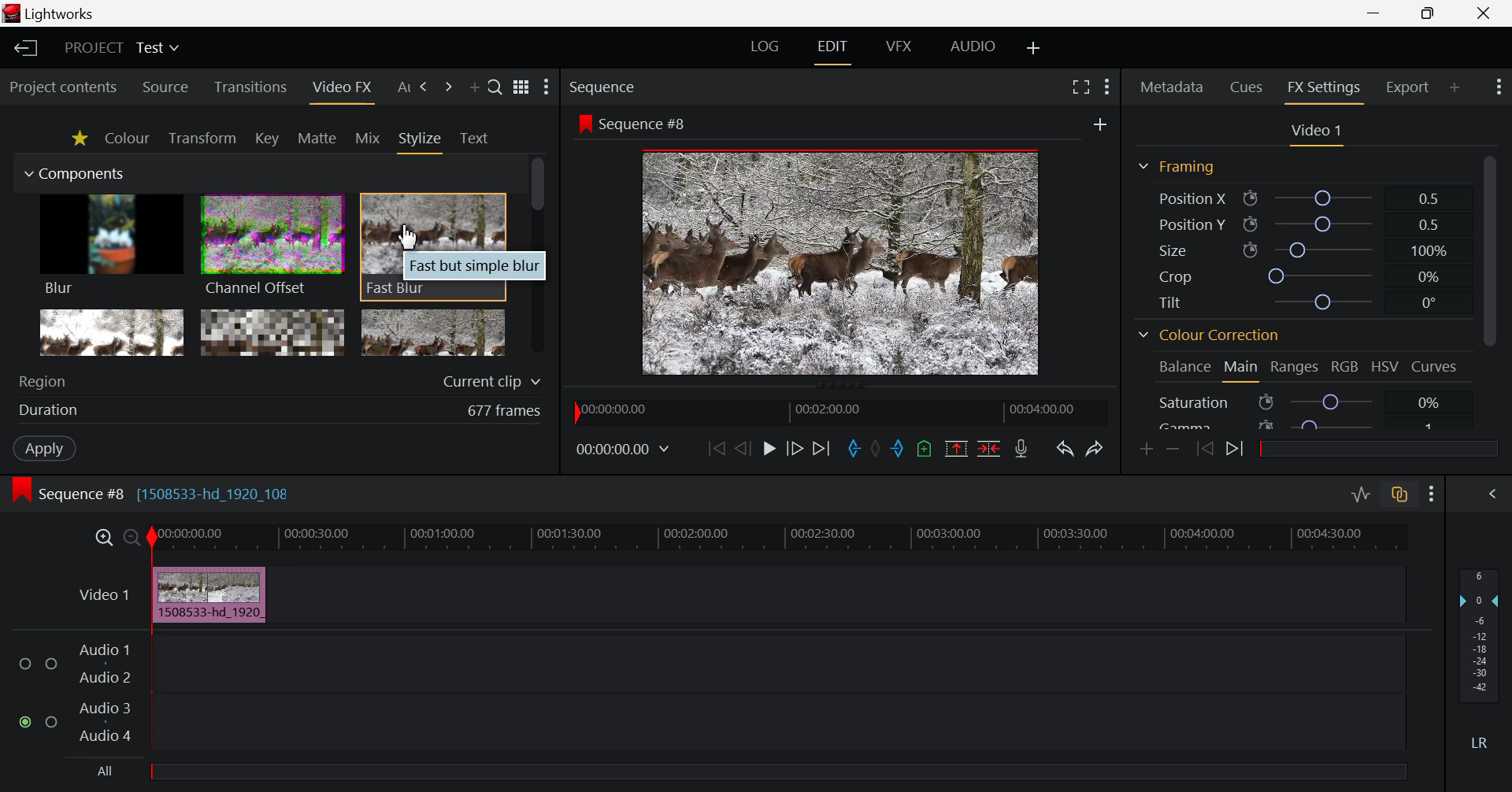 The width and height of the screenshot is (1512, 792). What do you see at coordinates (521, 87) in the screenshot?
I see `Toggle list and title view` at bounding box center [521, 87].